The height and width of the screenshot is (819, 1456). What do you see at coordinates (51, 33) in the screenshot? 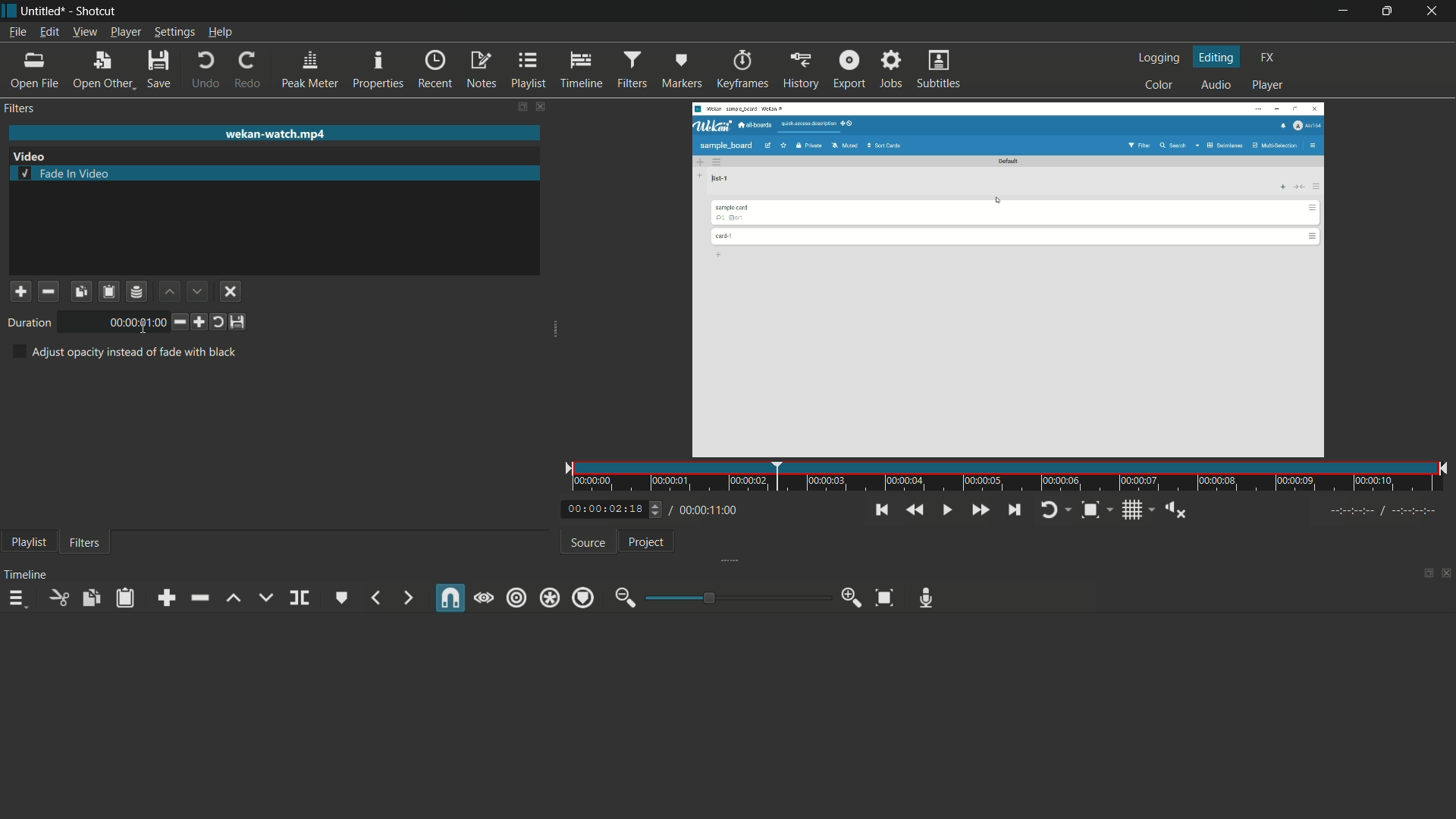
I see `edit menu` at bounding box center [51, 33].